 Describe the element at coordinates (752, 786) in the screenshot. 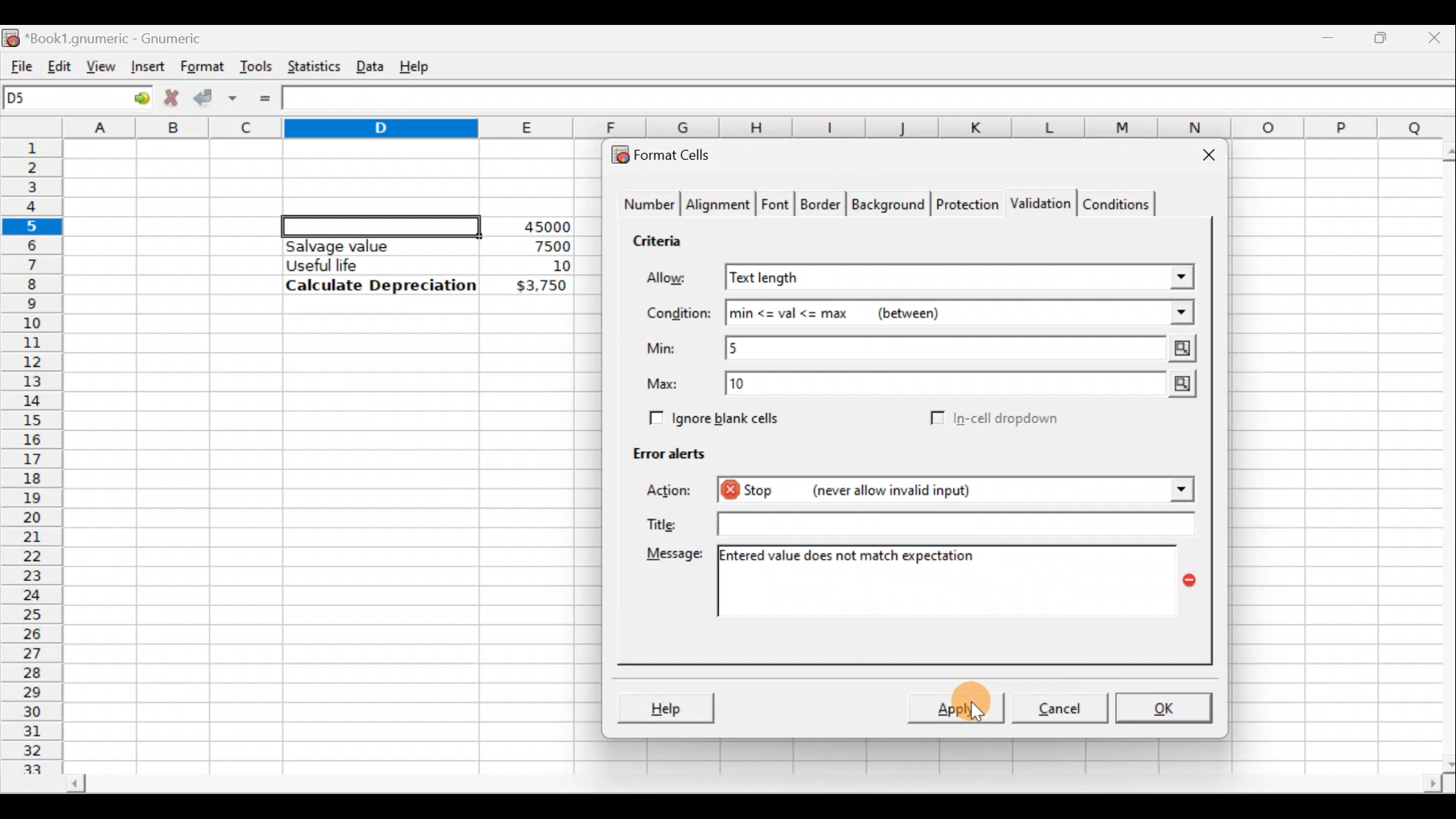

I see `Scroll bar` at that location.